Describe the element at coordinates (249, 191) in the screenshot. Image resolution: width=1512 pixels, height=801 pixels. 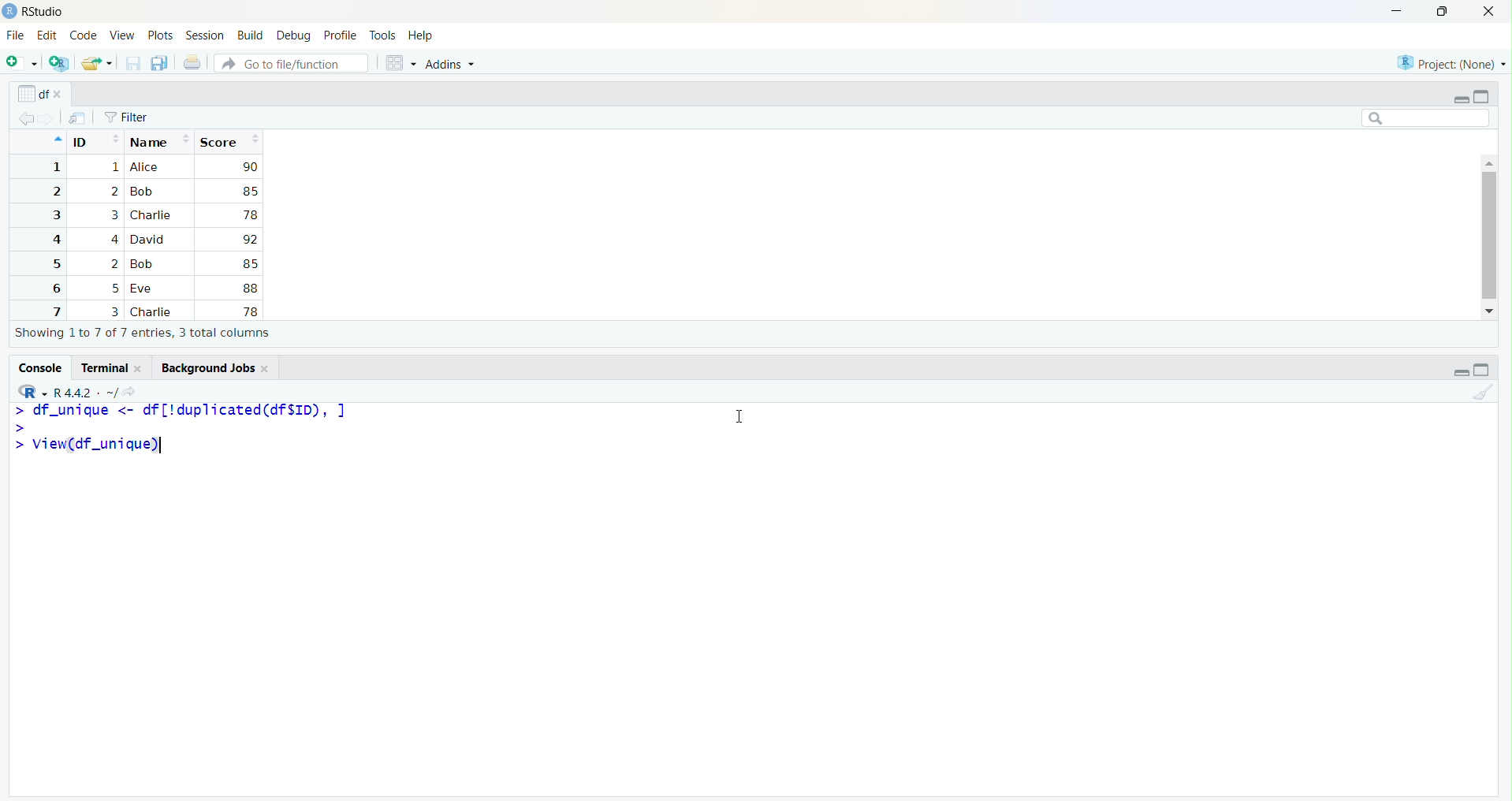
I see `85` at that location.